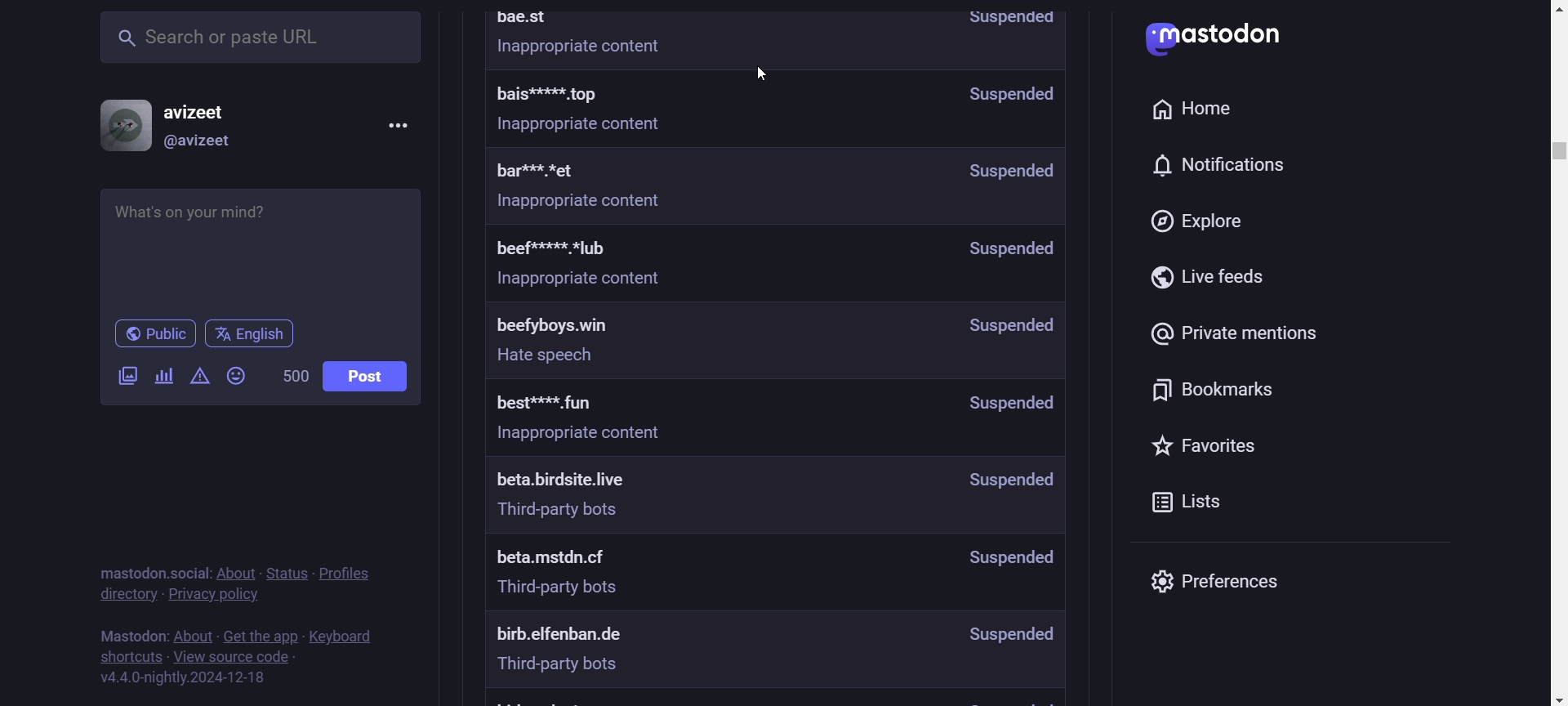 This screenshot has width=1568, height=706. What do you see at coordinates (127, 596) in the screenshot?
I see `directory` at bounding box center [127, 596].